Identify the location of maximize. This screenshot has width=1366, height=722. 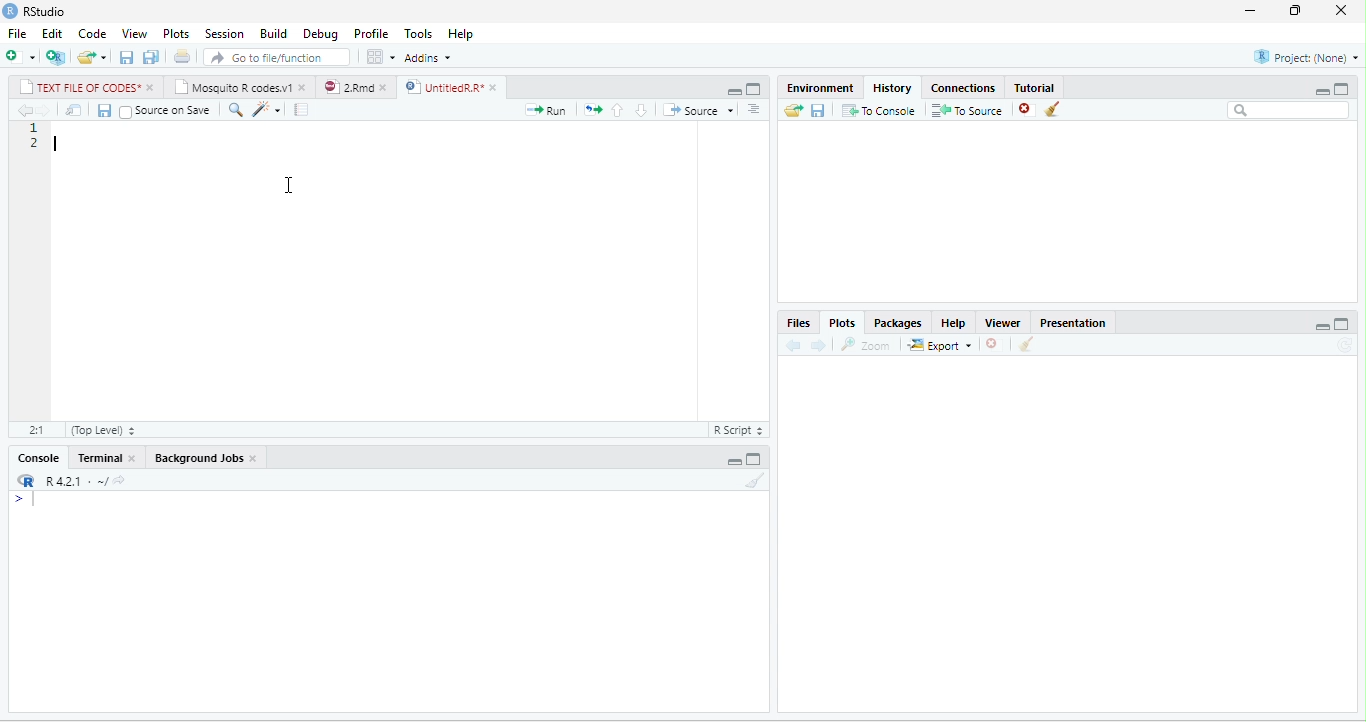
(1342, 324).